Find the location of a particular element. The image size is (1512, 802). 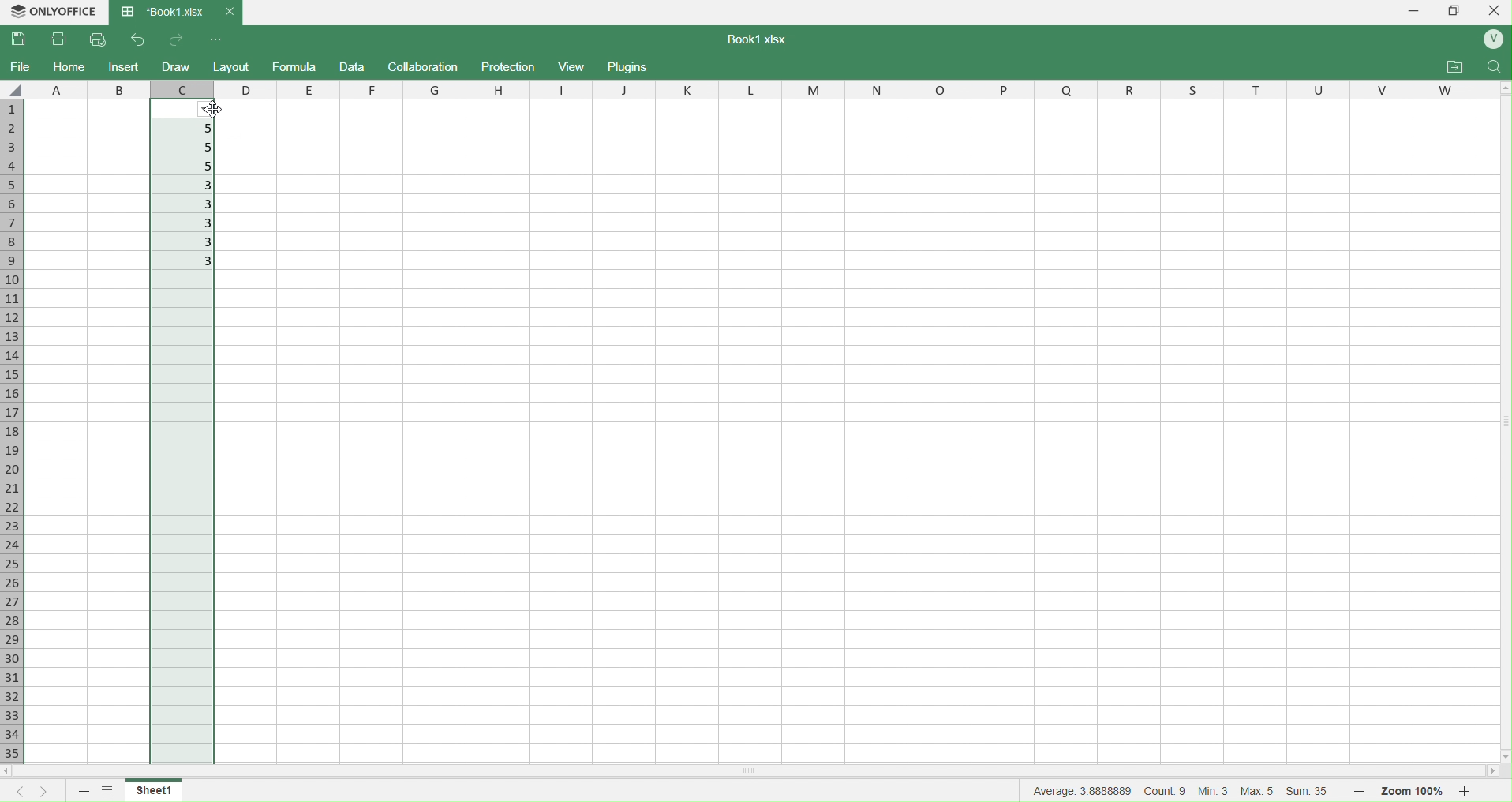

3 is located at coordinates (185, 224).